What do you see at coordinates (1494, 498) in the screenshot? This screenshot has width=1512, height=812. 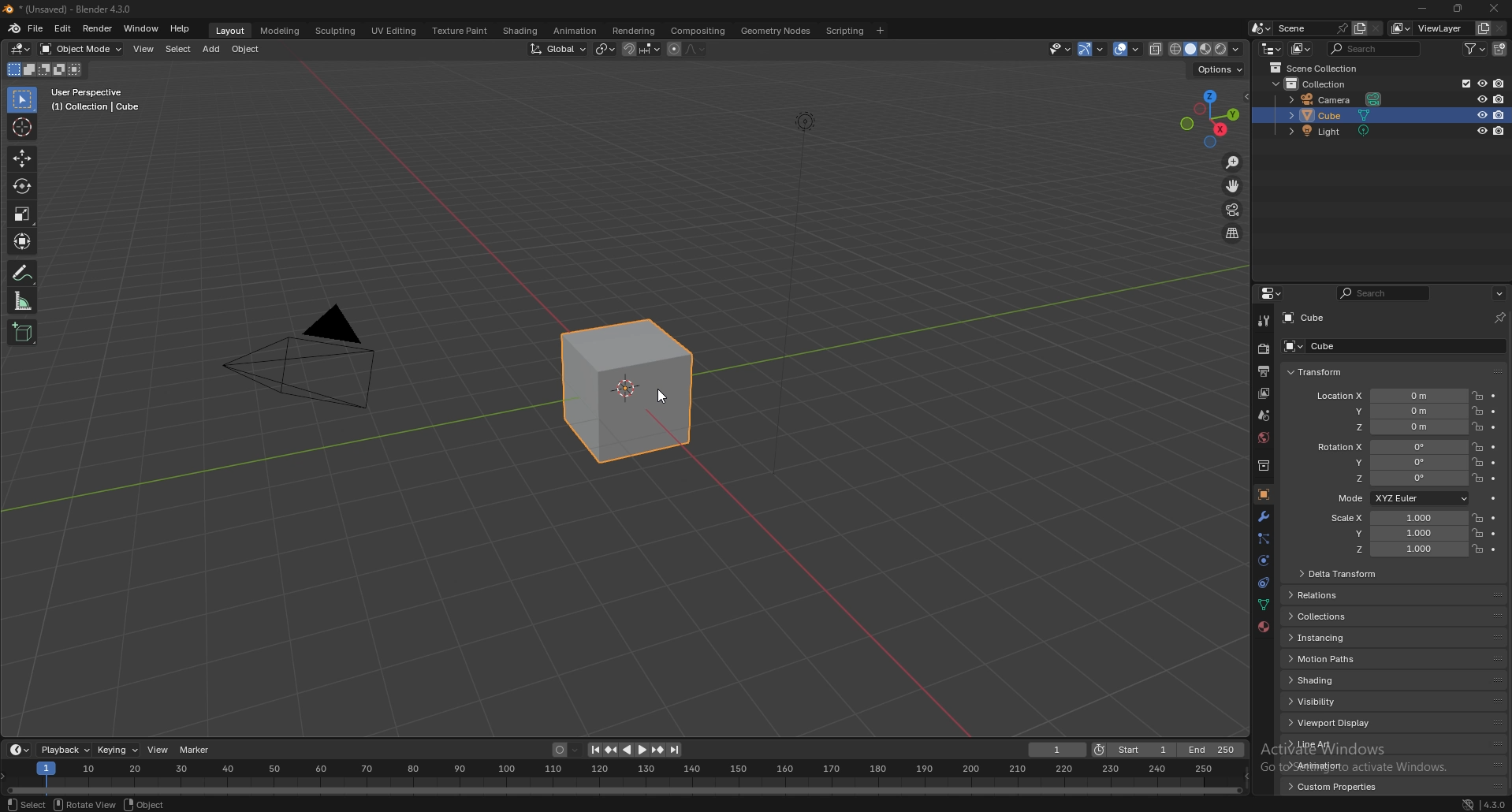 I see `animate property` at bounding box center [1494, 498].